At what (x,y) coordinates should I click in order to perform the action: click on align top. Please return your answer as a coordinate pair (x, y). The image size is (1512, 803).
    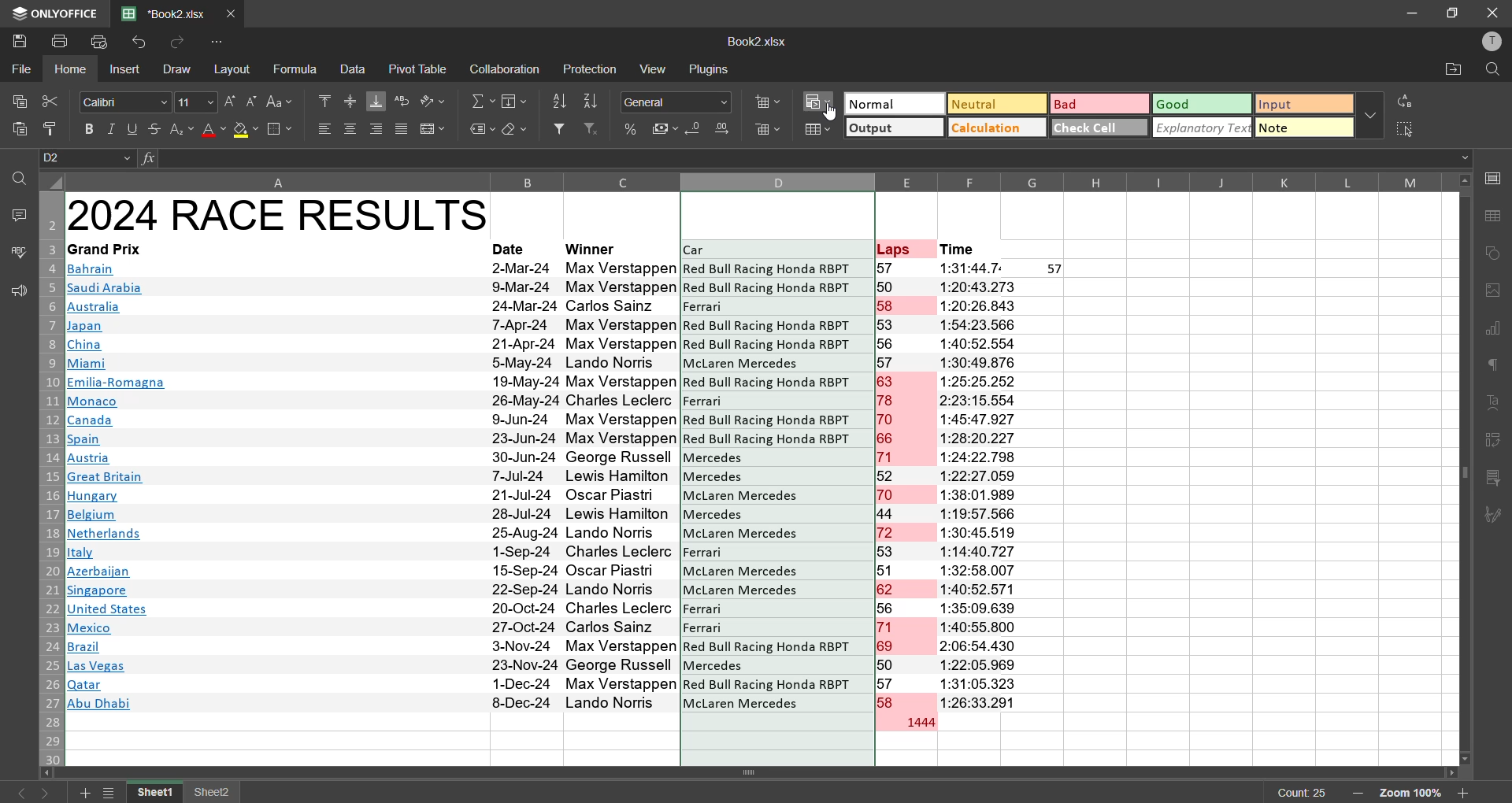
    Looking at the image, I should click on (324, 99).